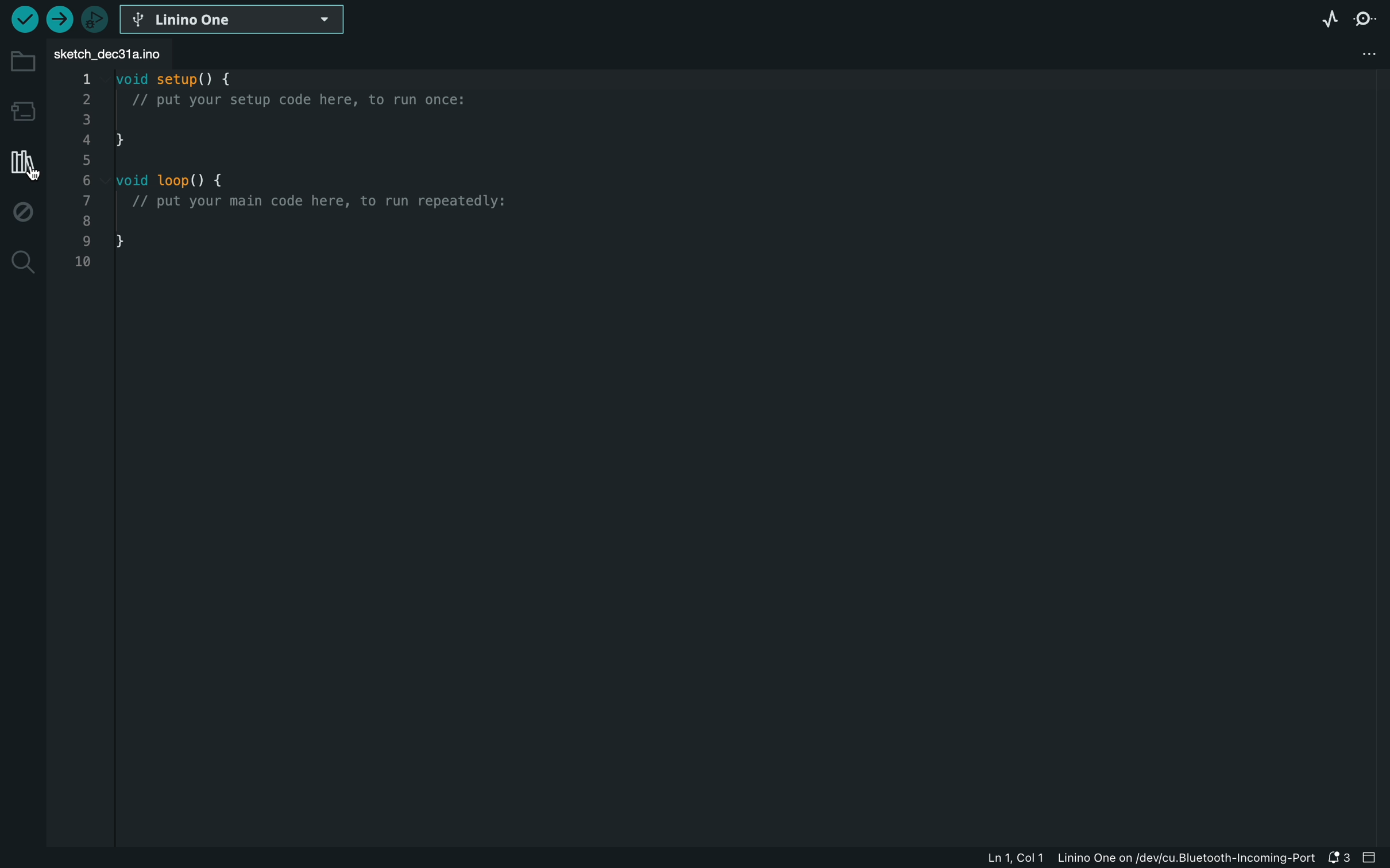  What do you see at coordinates (1368, 22) in the screenshot?
I see `serial monitor` at bounding box center [1368, 22].